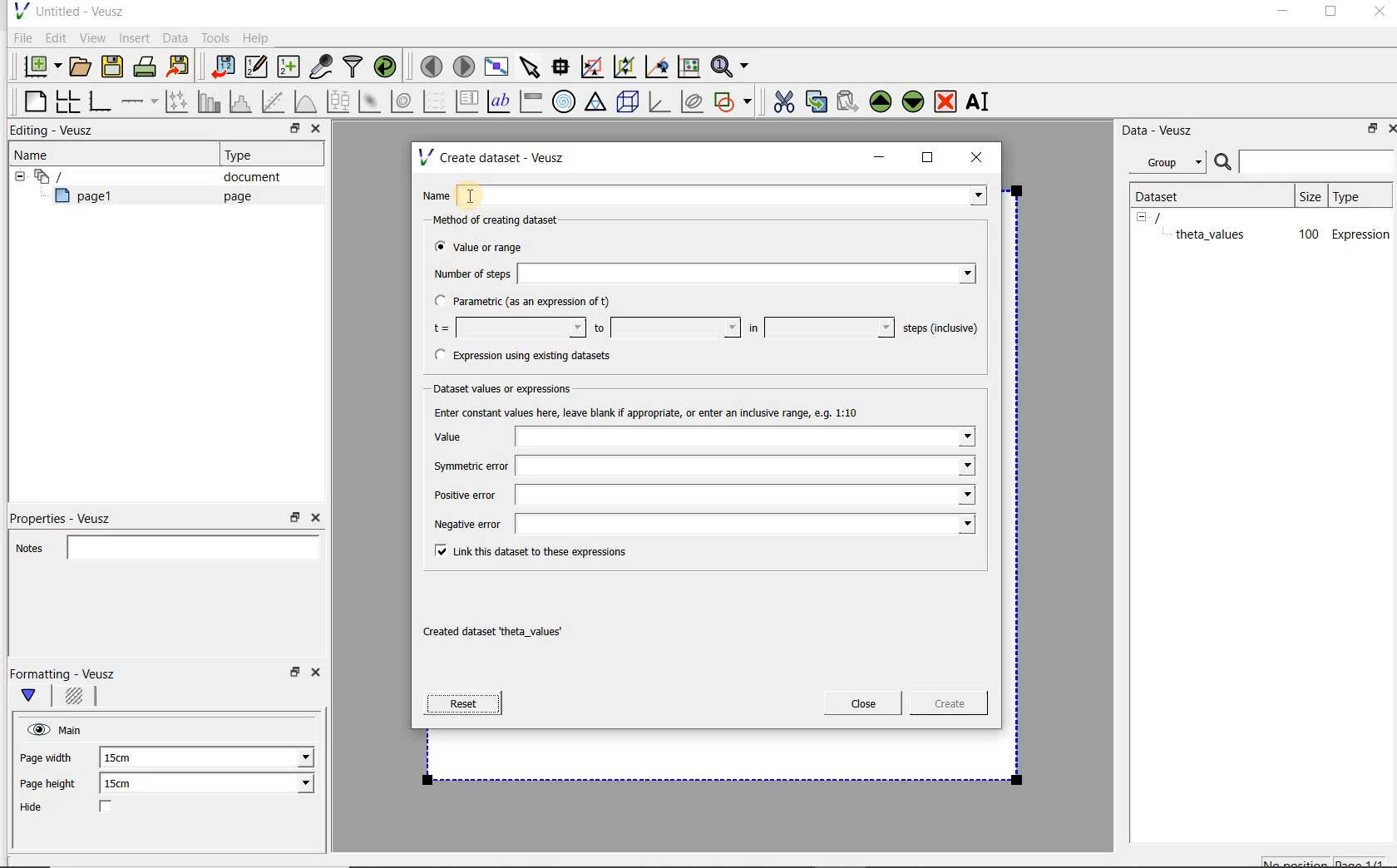 The image size is (1397, 868). I want to click on select items from the graph or scroll, so click(529, 65).